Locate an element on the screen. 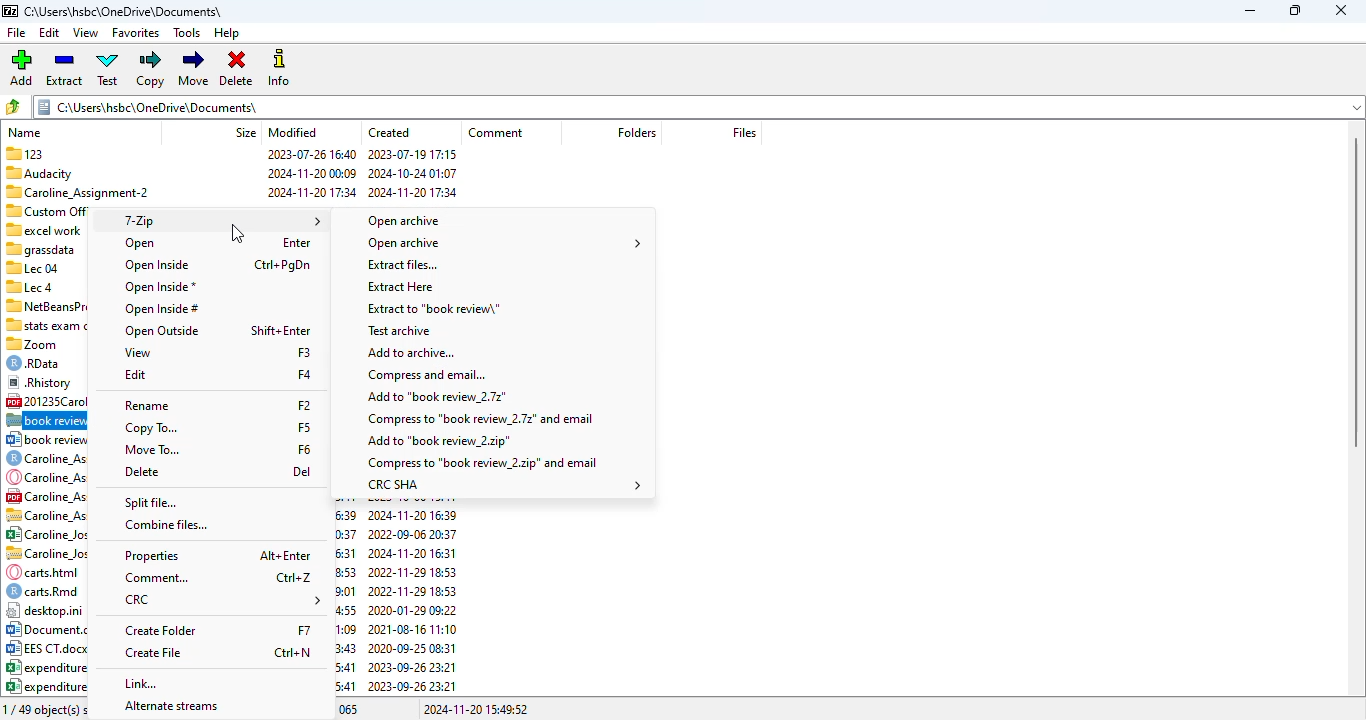 The width and height of the screenshot is (1366, 720). add is located at coordinates (21, 67).